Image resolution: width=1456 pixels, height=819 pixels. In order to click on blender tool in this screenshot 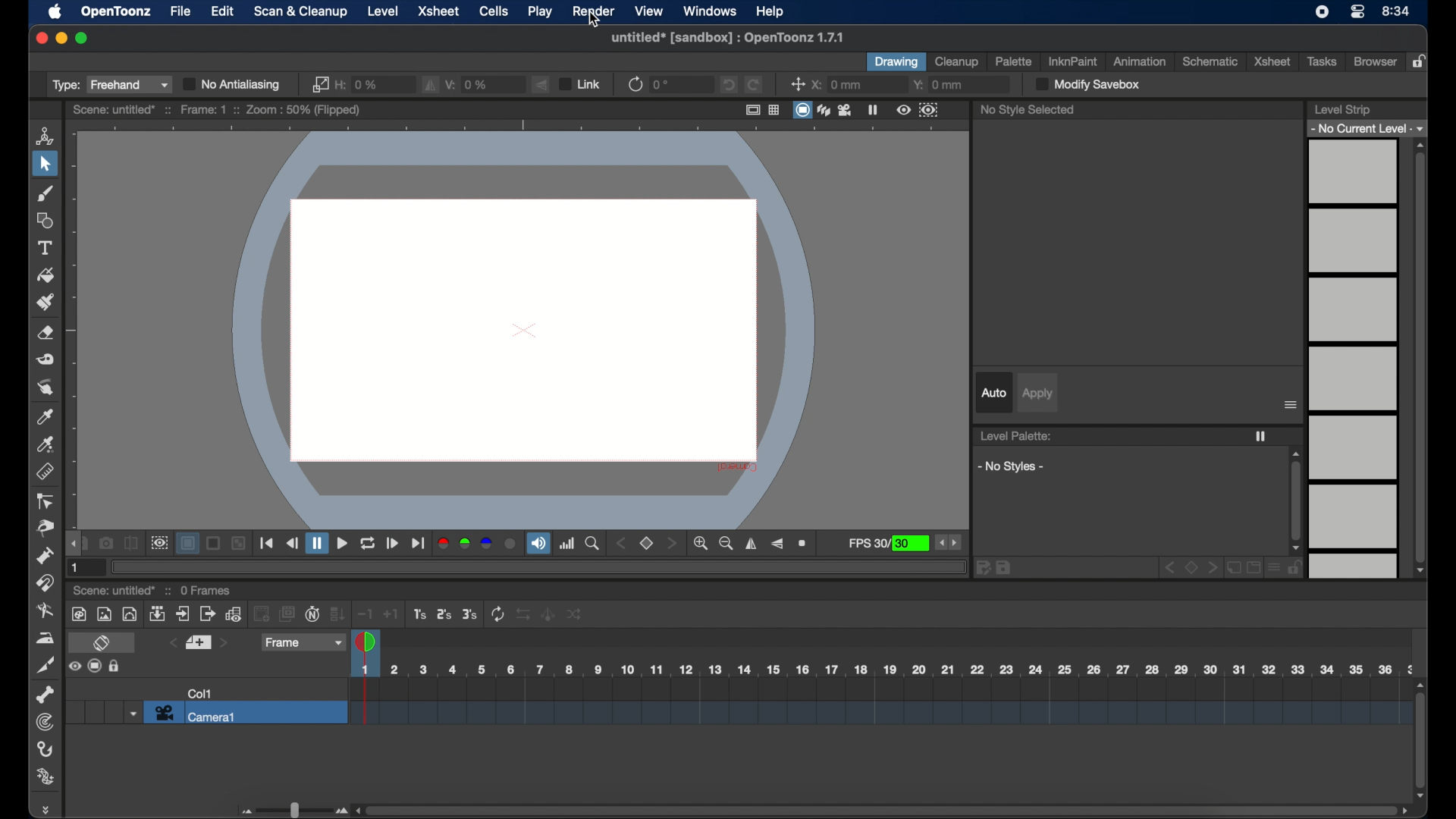, I will do `click(45, 611)`.